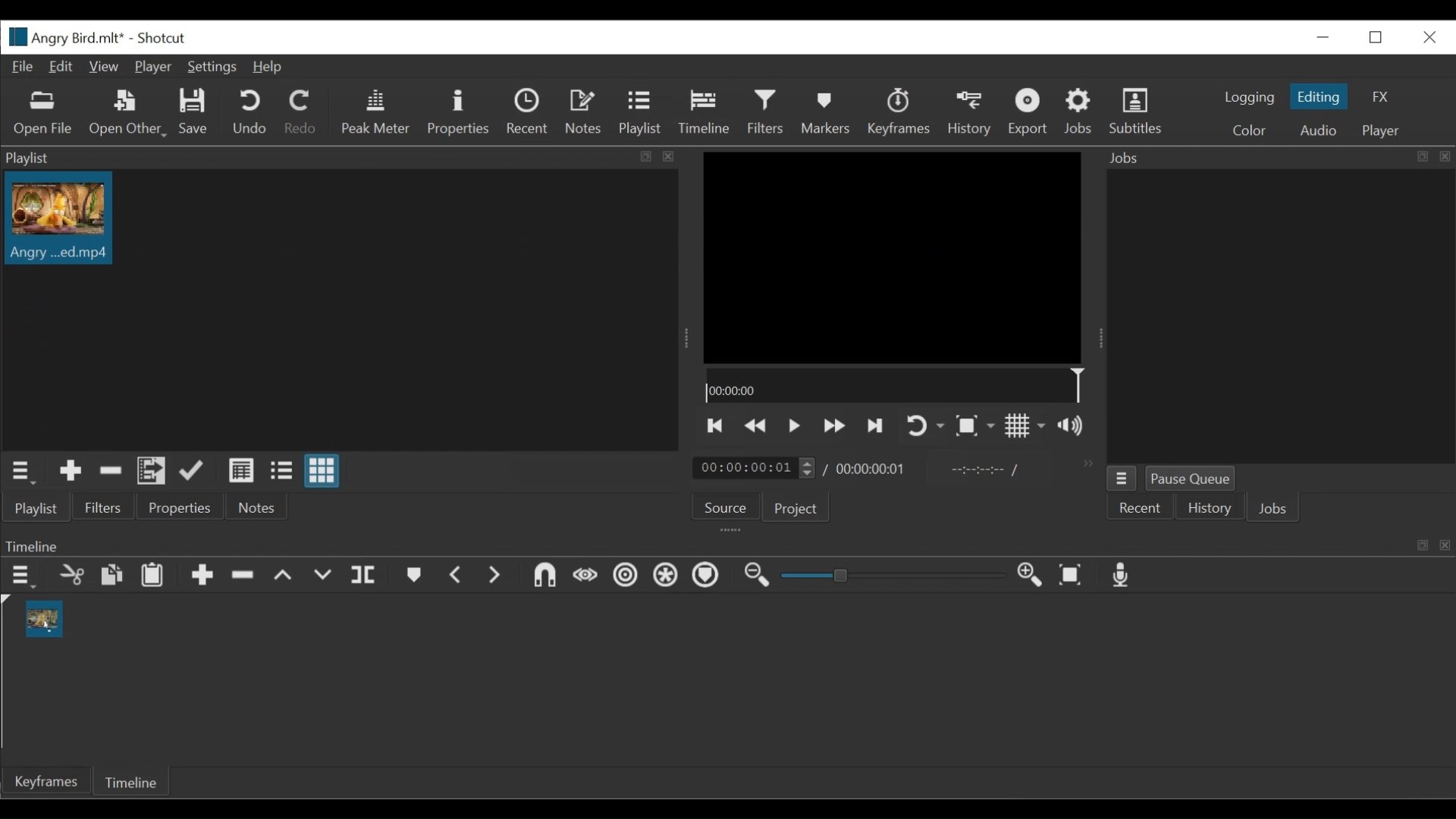 This screenshot has width=1456, height=819. Describe the element at coordinates (1139, 507) in the screenshot. I see `Recent` at that location.